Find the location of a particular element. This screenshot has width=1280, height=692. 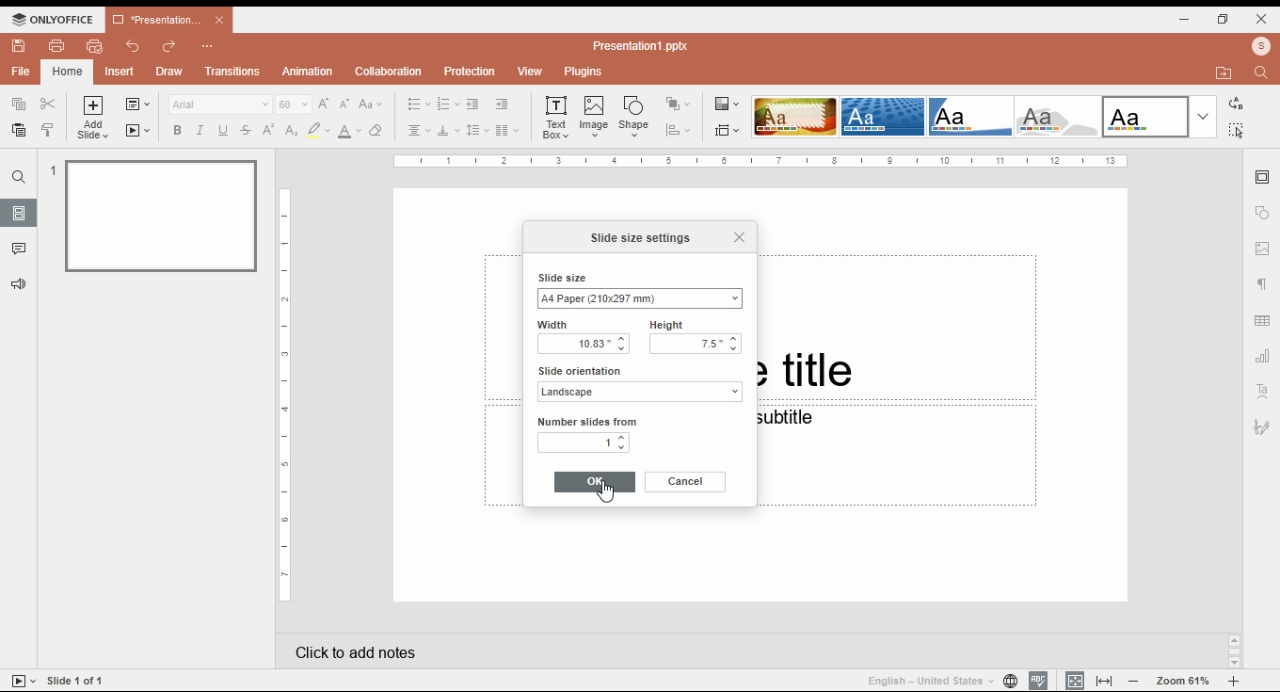

copy style is located at coordinates (50, 129).